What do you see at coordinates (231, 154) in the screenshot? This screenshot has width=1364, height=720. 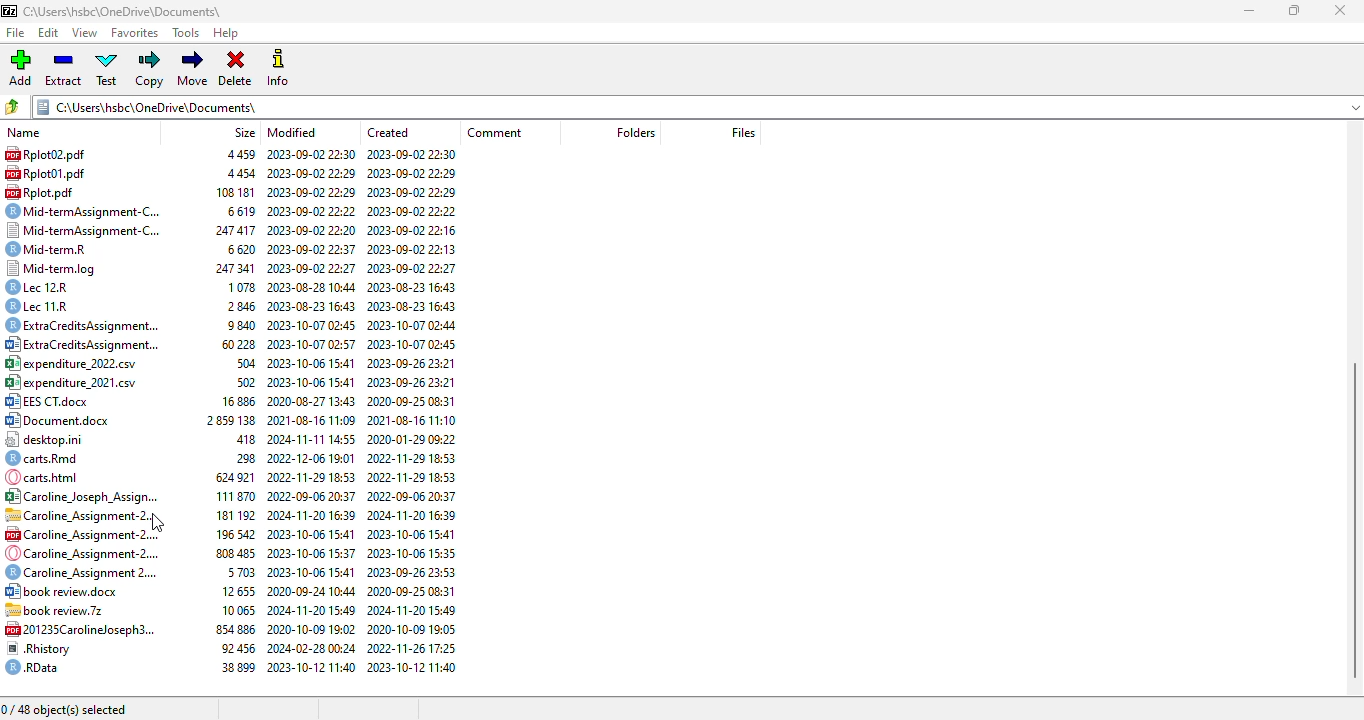 I see `4459` at bounding box center [231, 154].